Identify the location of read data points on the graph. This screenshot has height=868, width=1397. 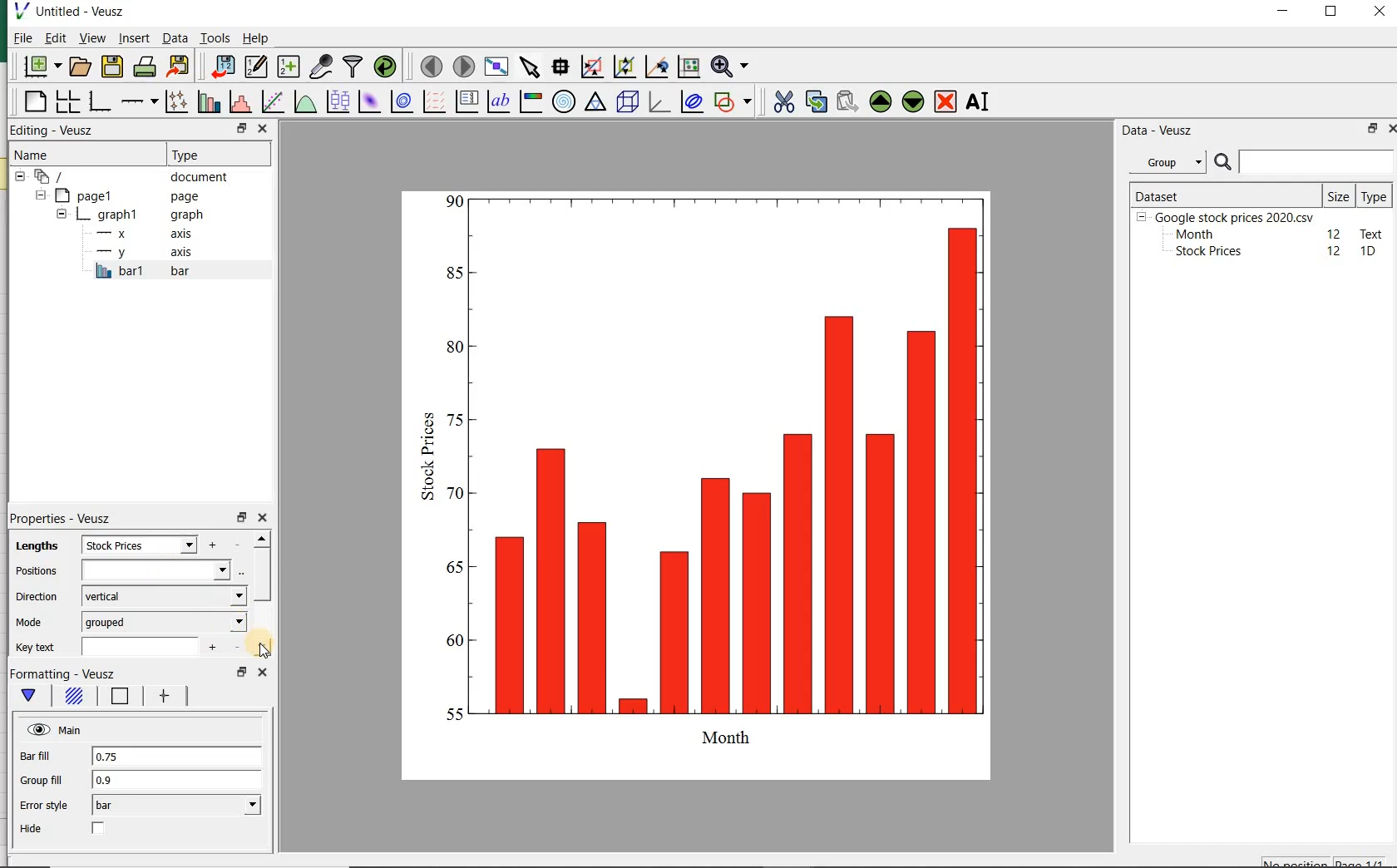
(559, 67).